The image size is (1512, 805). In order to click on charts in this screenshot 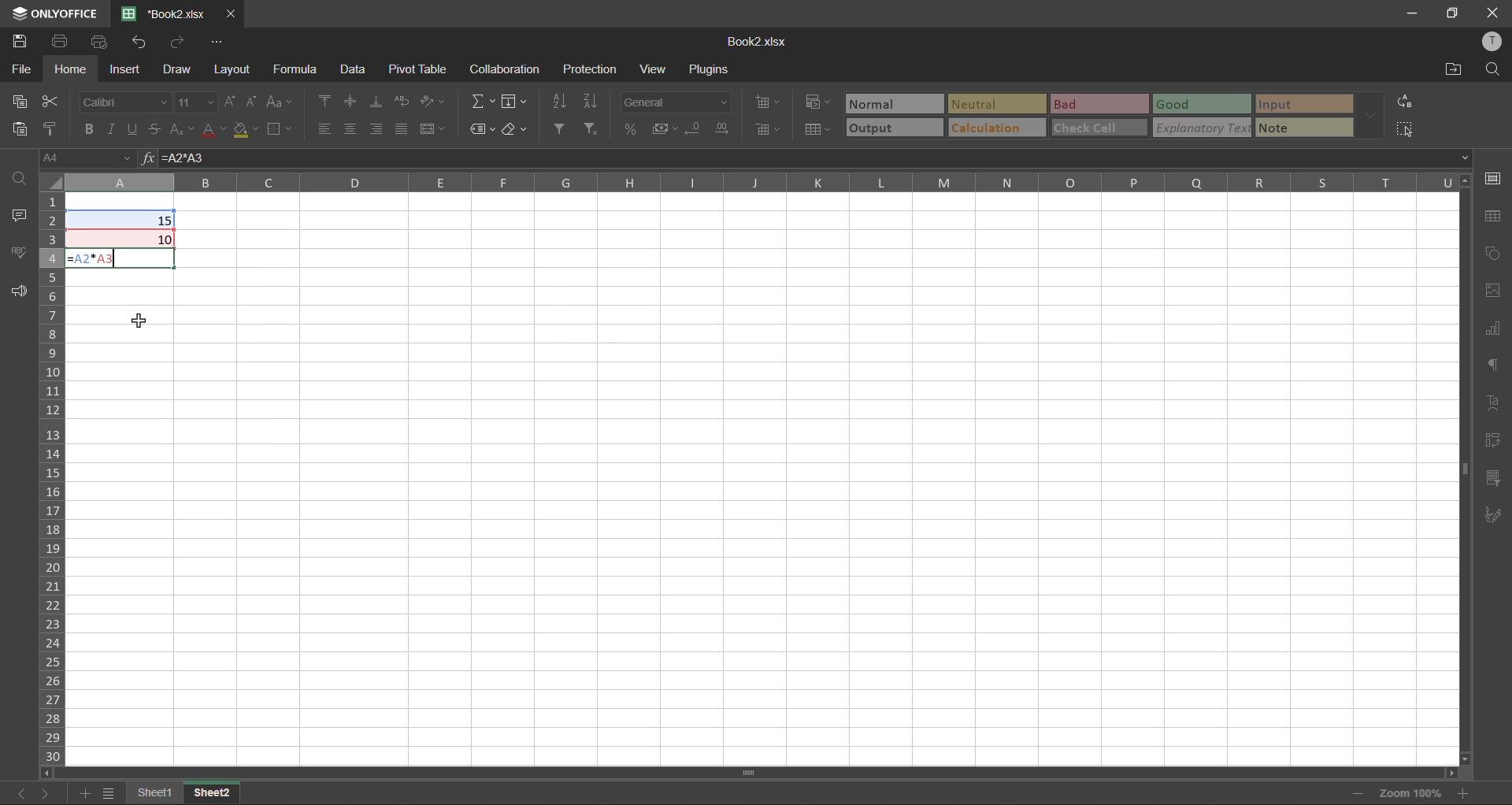, I will do `click(1492, 329)`.